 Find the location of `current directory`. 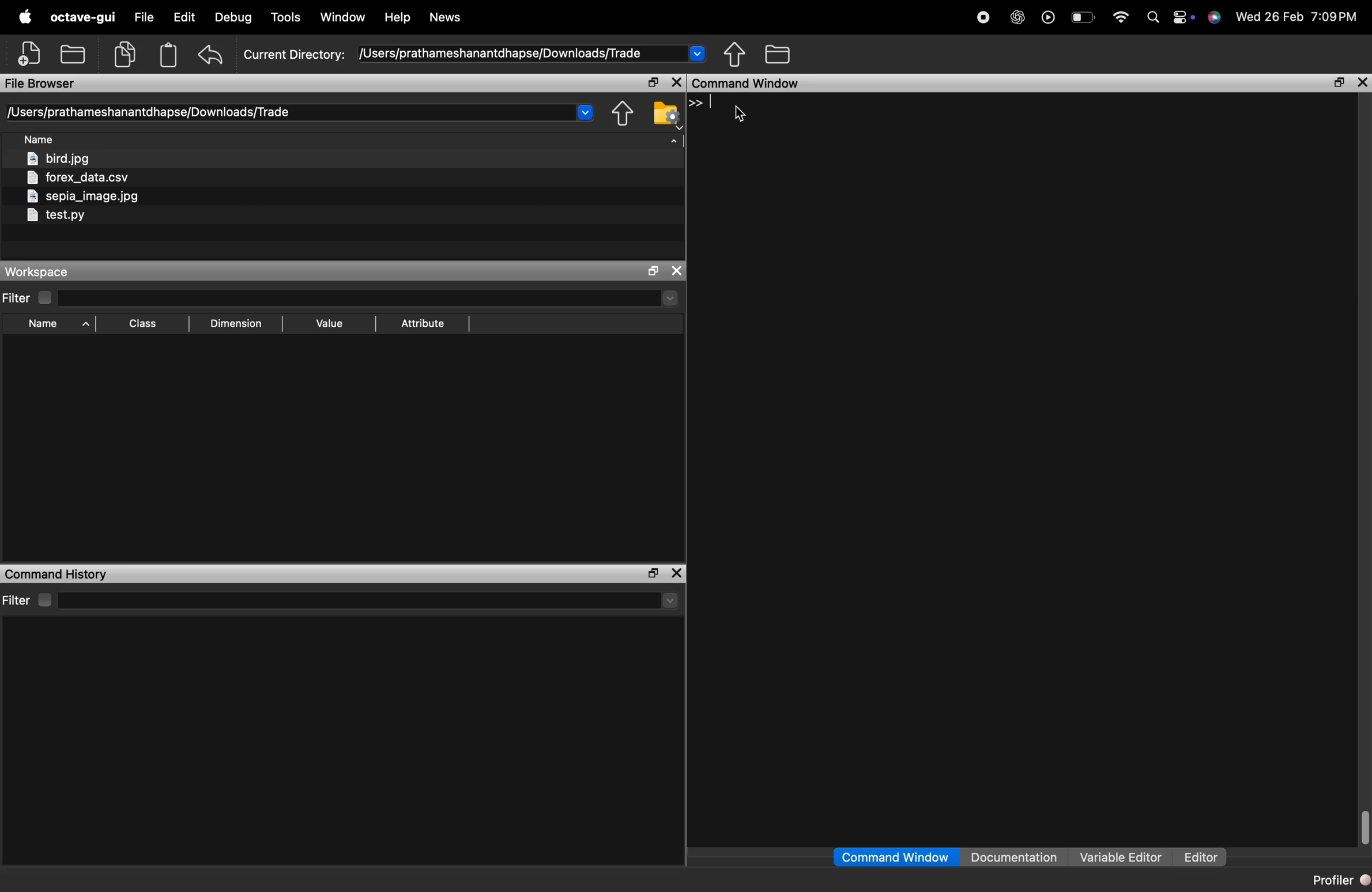

current directory is located at coordinates (301, 112).